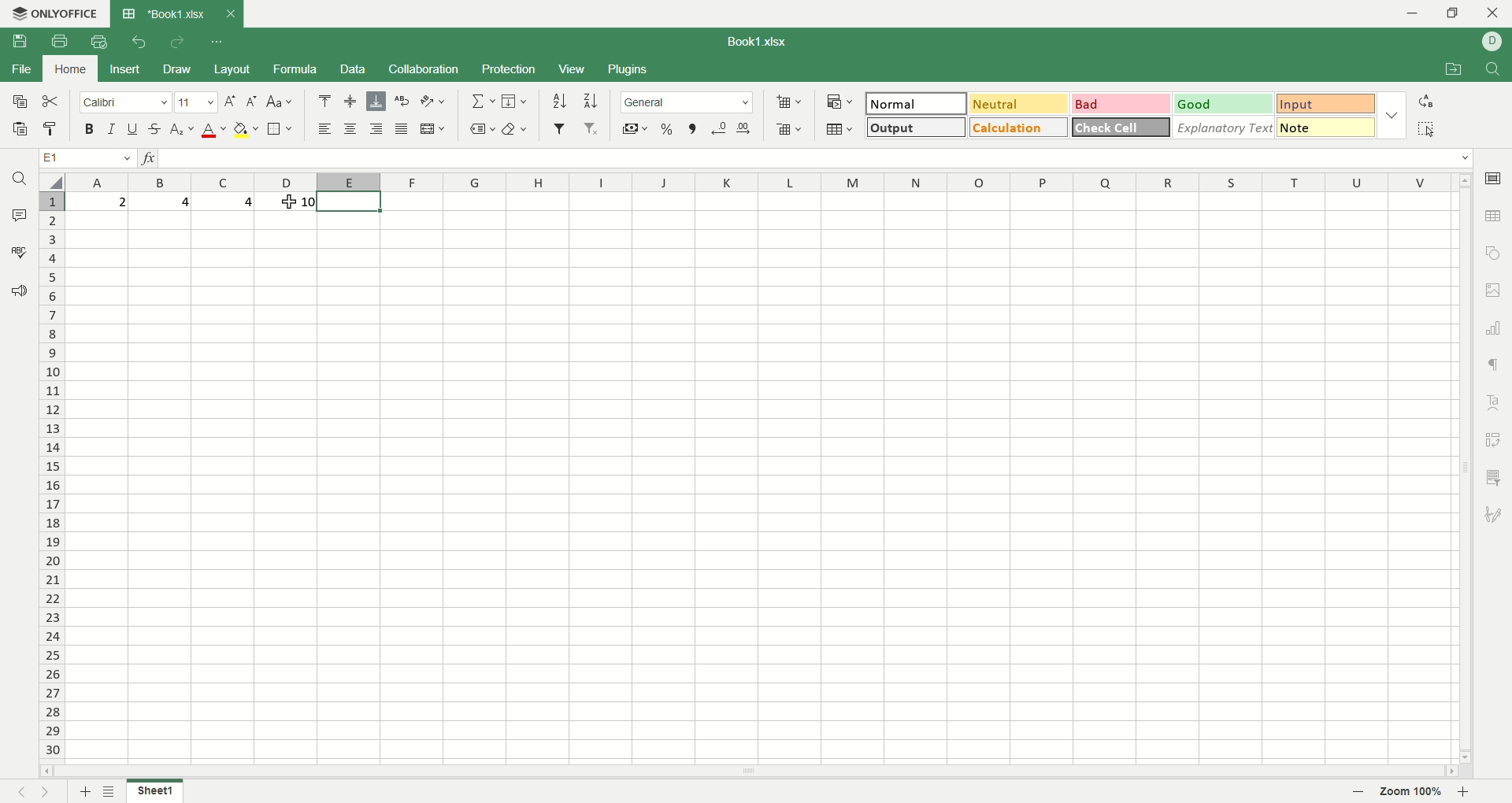  I want to click on draw, so click(180, 69).